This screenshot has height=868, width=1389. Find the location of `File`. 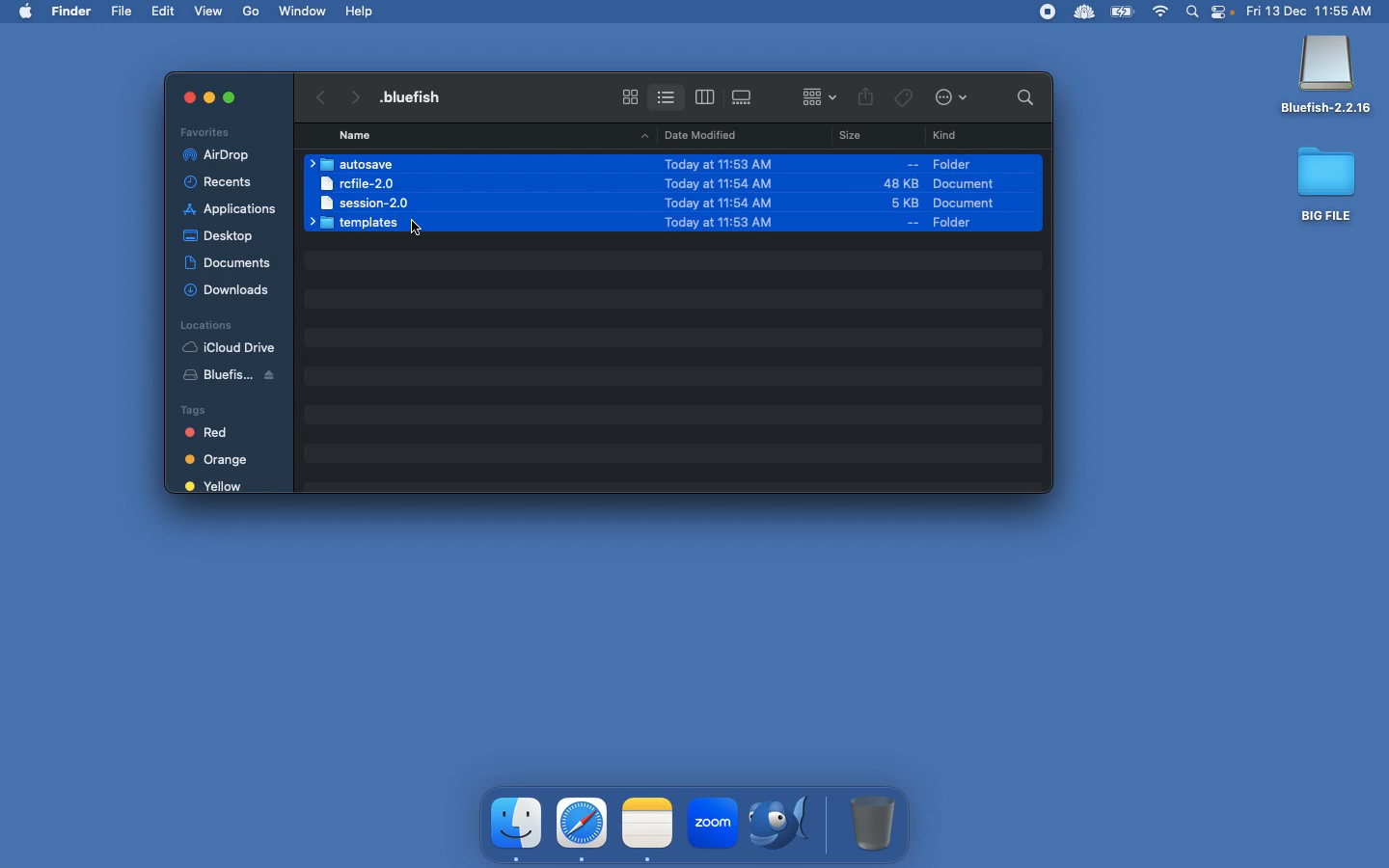

File is located at coordinates (123, 12).